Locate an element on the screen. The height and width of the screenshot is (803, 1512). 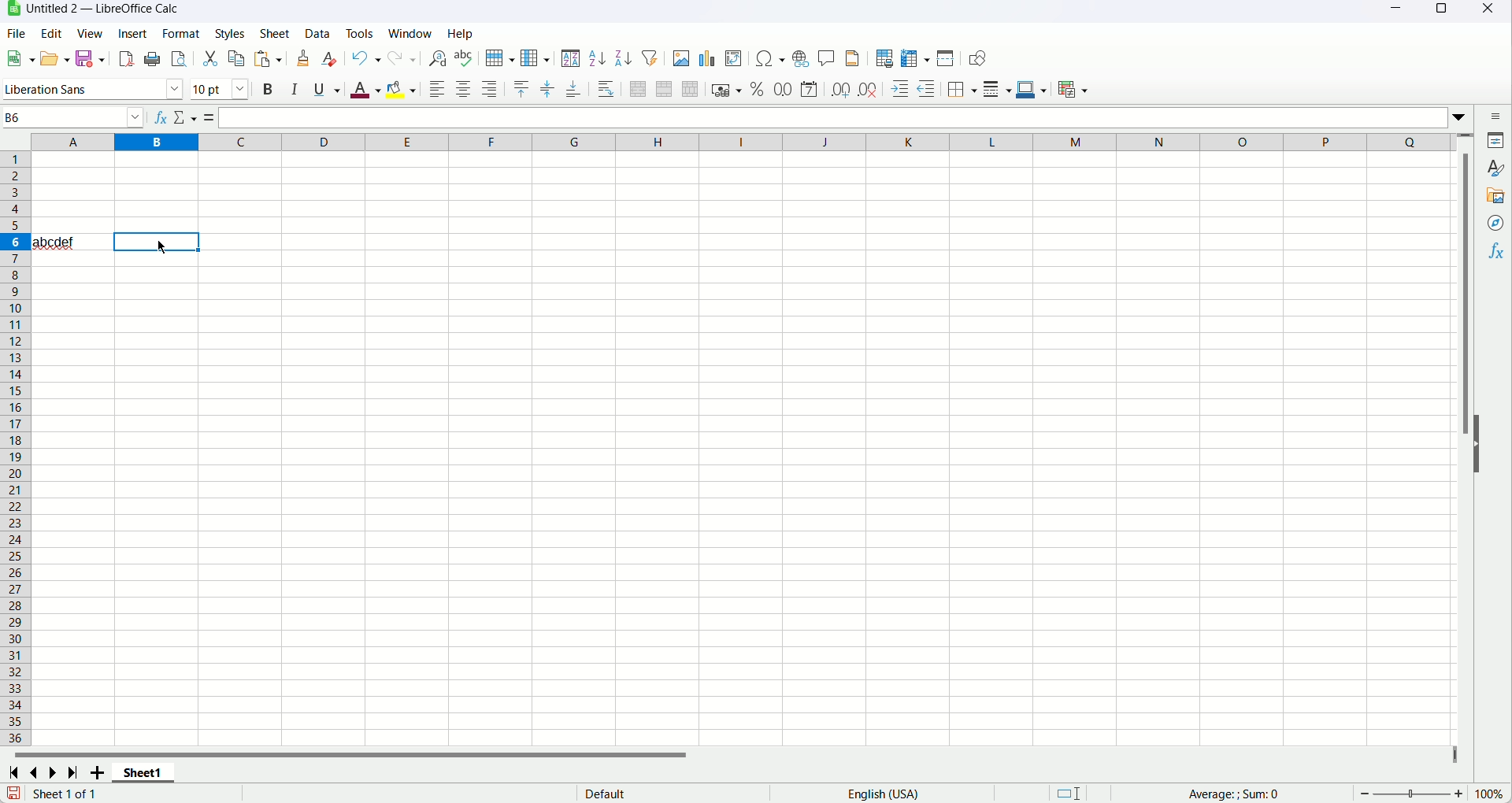
italics is located at coordinates (292, 88).